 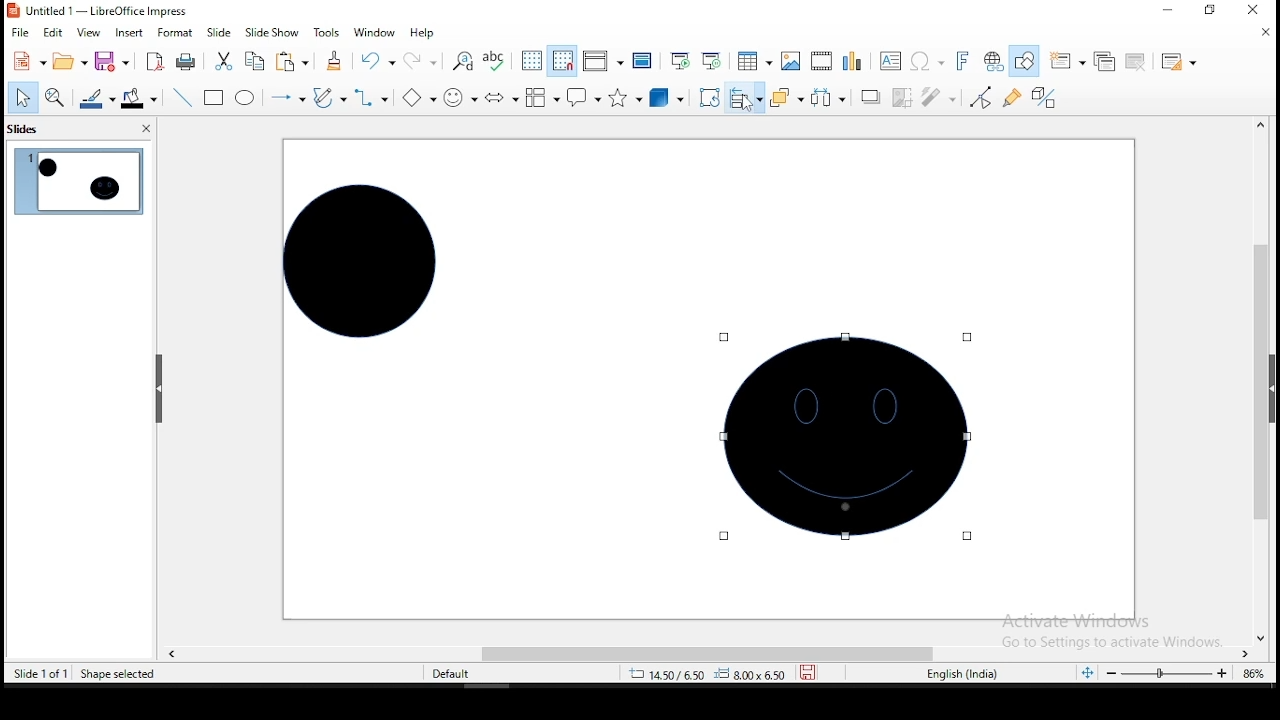 What do you see at coordinates (667, 99) in the screenshot?
I see `3D shapes` at bounding box center [667, 99].